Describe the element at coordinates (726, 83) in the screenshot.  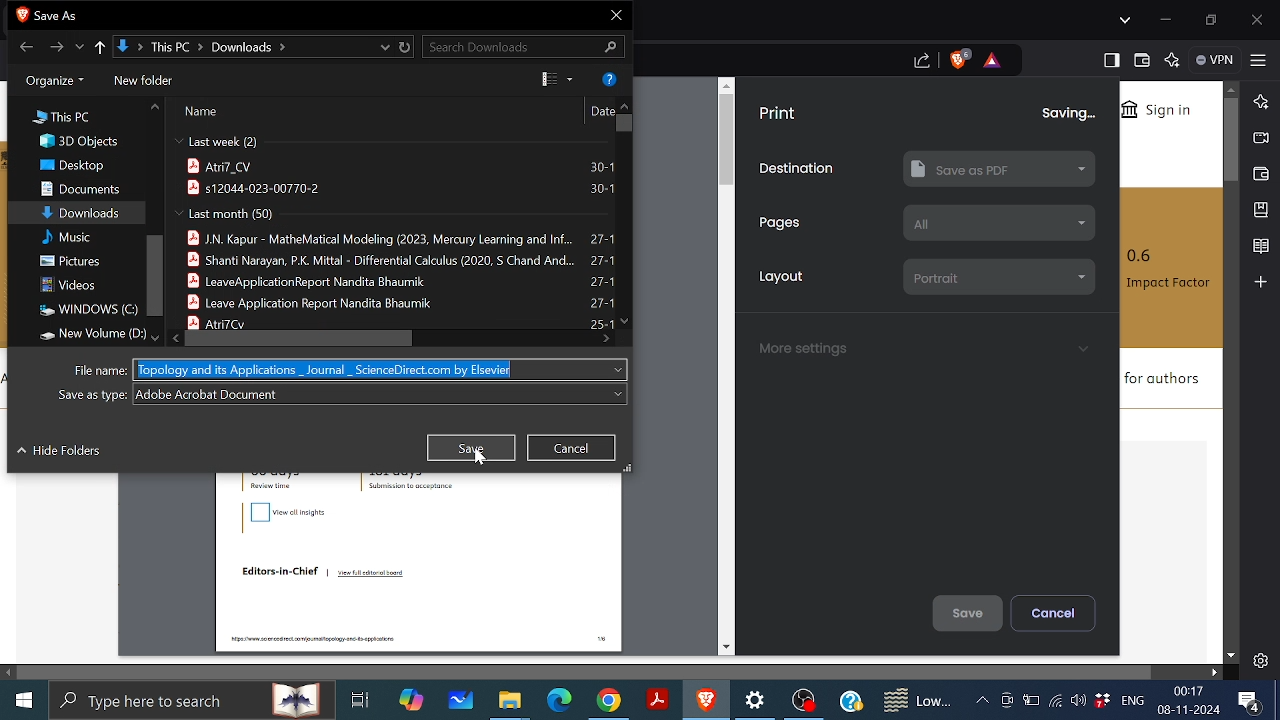
I see `move up` at that location.